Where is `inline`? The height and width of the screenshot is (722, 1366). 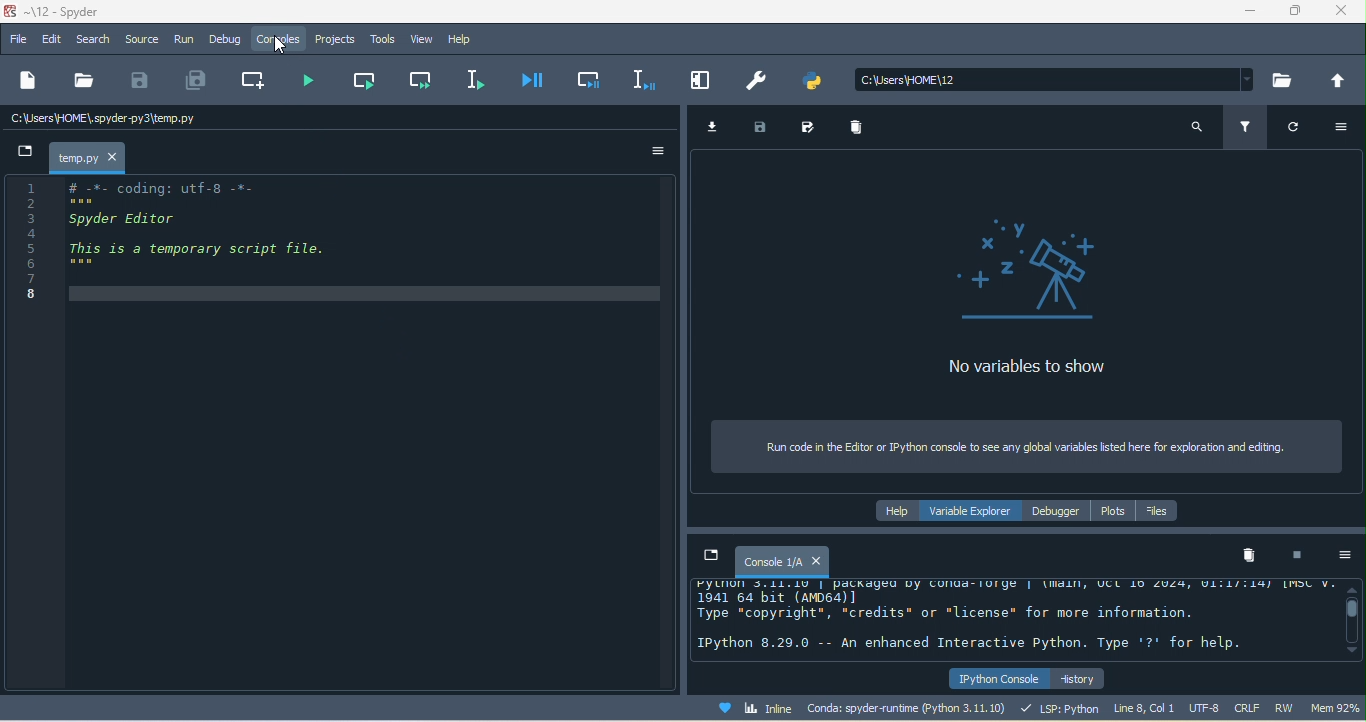
inline is located at coordinates (760, 707).